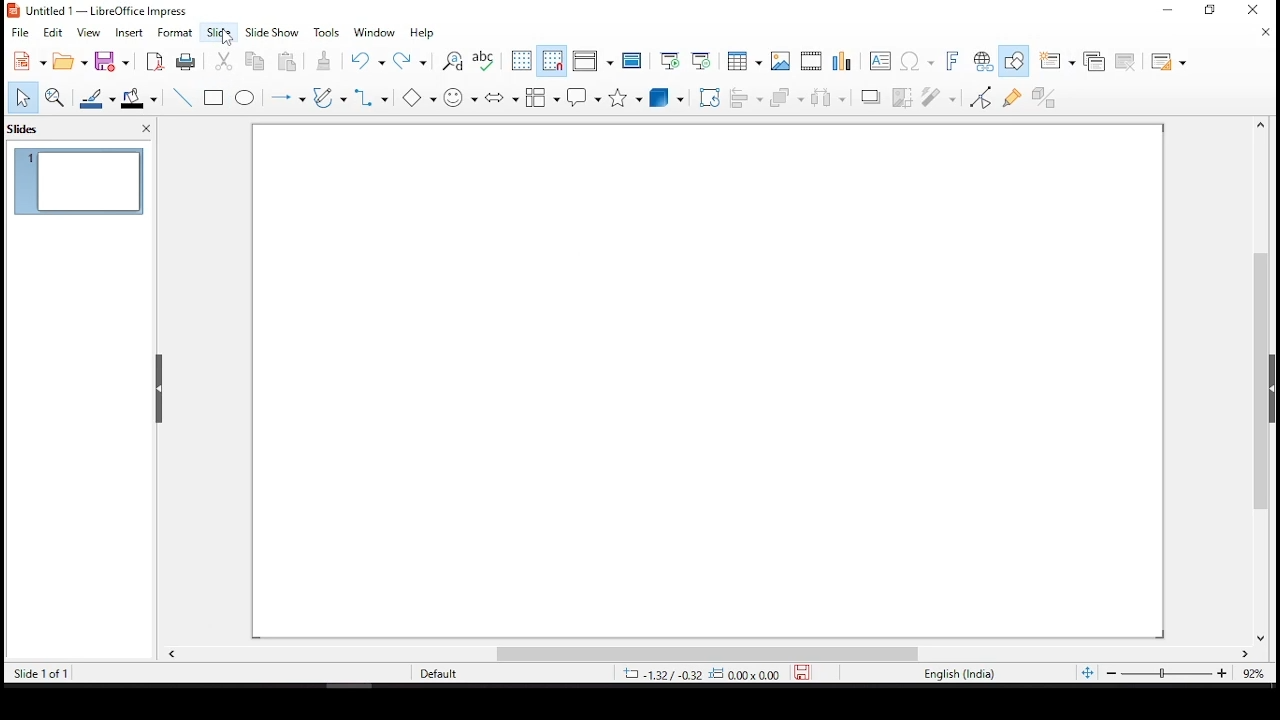  What do you see at coordinates (415, 99) in the screenshot?
I see `basic shapes` at bounding box center [415, 99].